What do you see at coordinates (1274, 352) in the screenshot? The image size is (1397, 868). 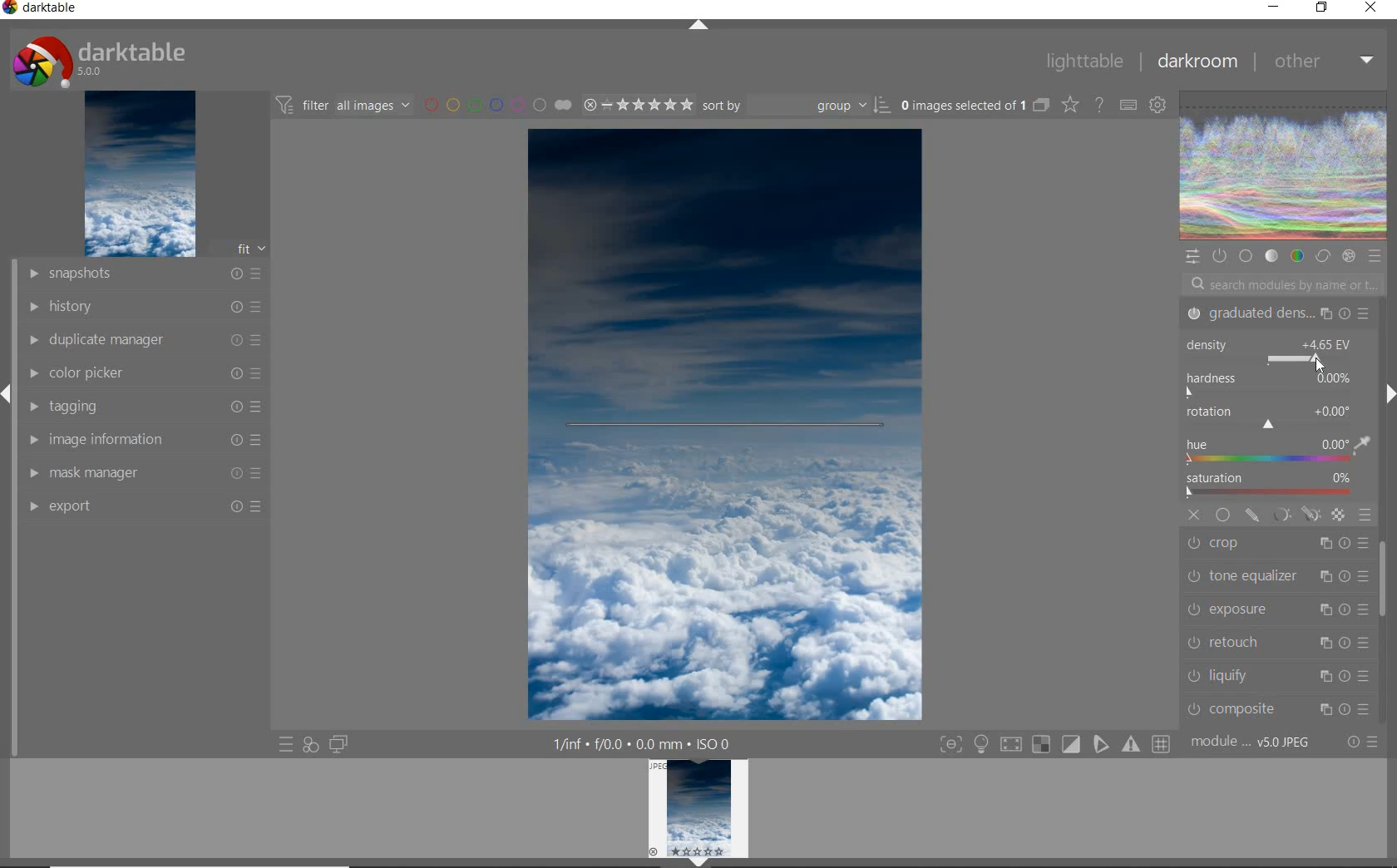 I see `DENSITY` at bounding box center [1274, 352].